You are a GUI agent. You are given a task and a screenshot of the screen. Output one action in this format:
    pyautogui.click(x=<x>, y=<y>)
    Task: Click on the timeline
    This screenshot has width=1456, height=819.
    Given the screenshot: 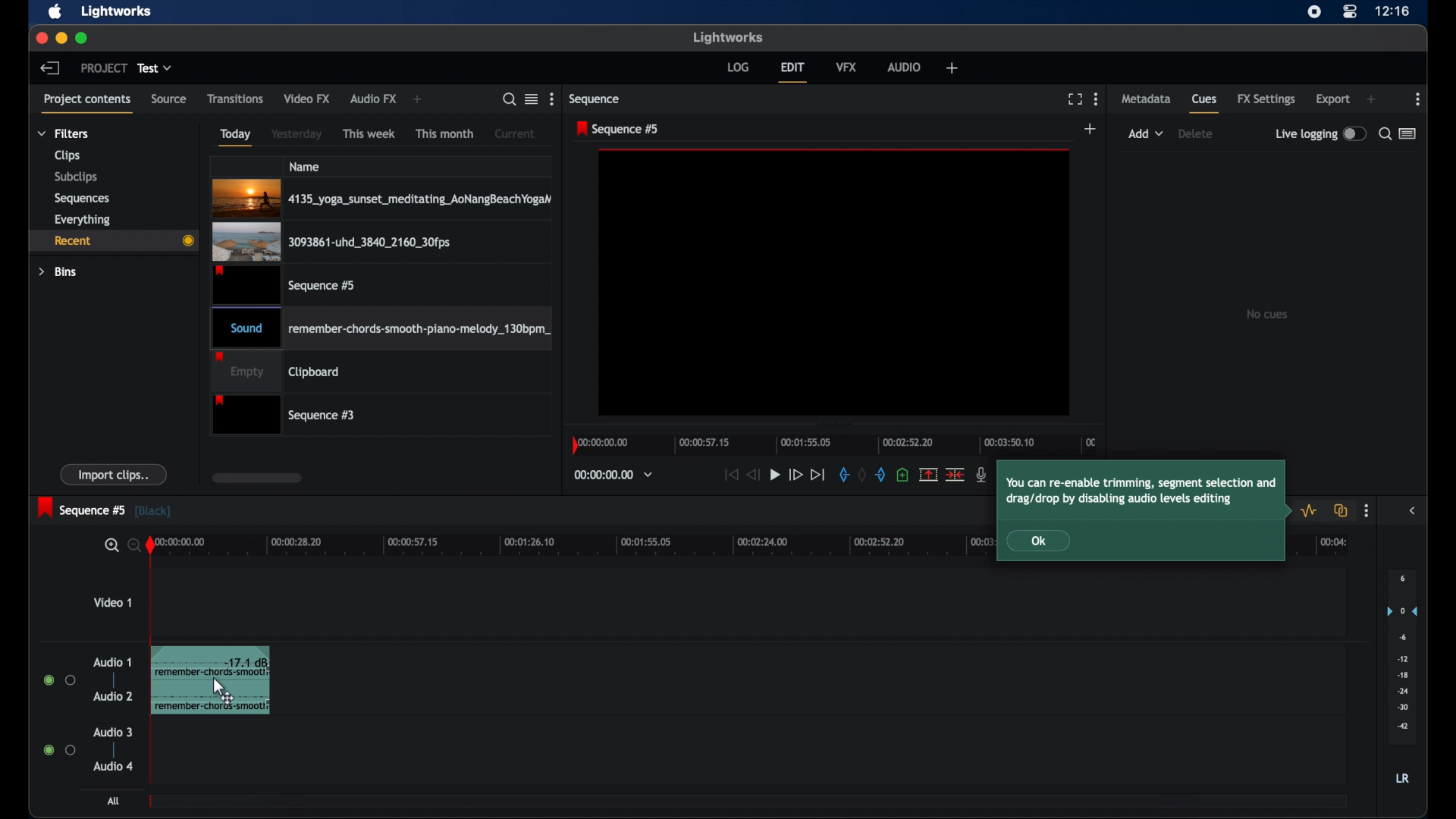 What is the action you would take?
    pyautogui.click(x=837, y=444)
    